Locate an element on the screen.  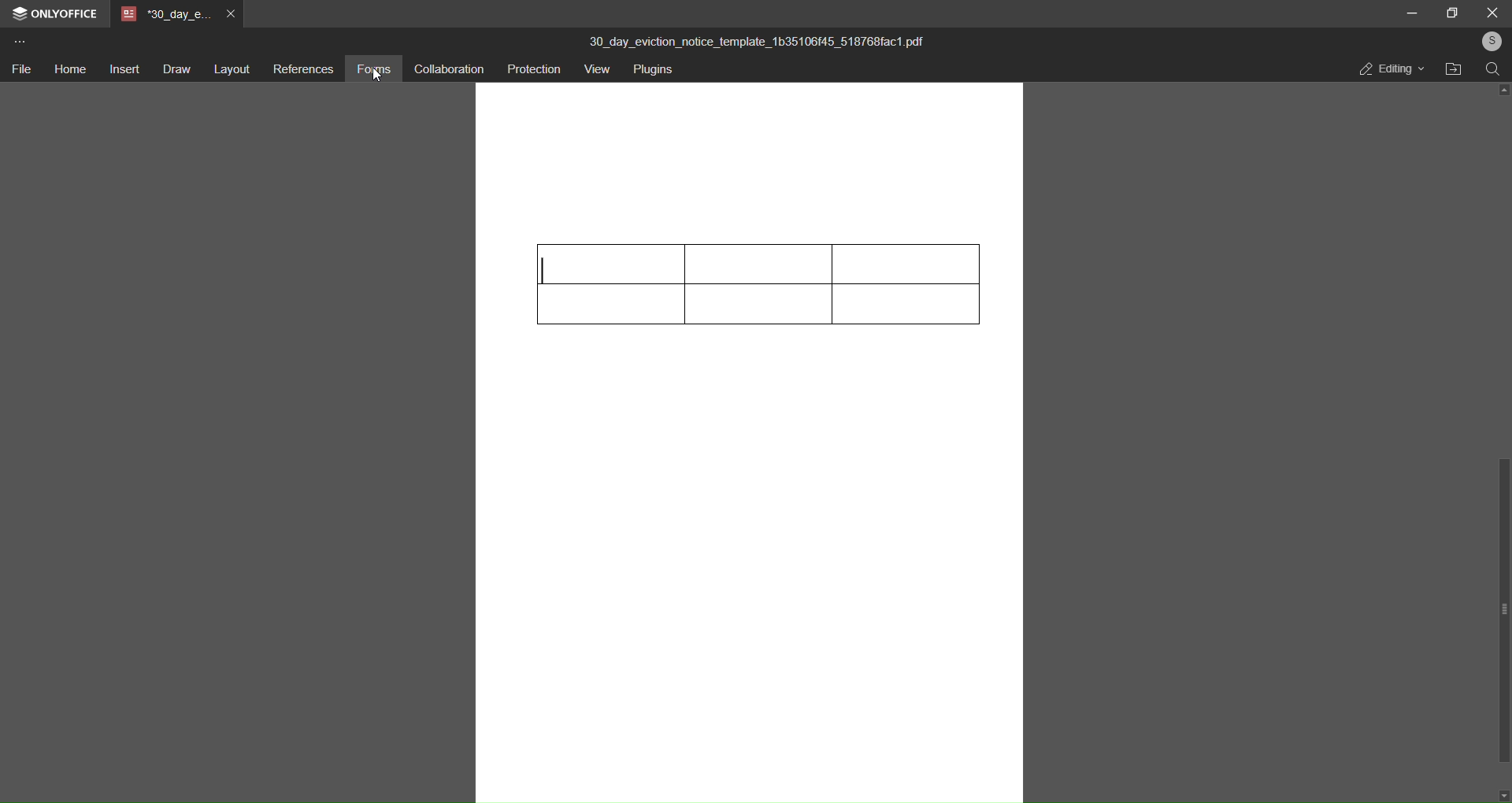
tab name is located at coordinates (166, 14).